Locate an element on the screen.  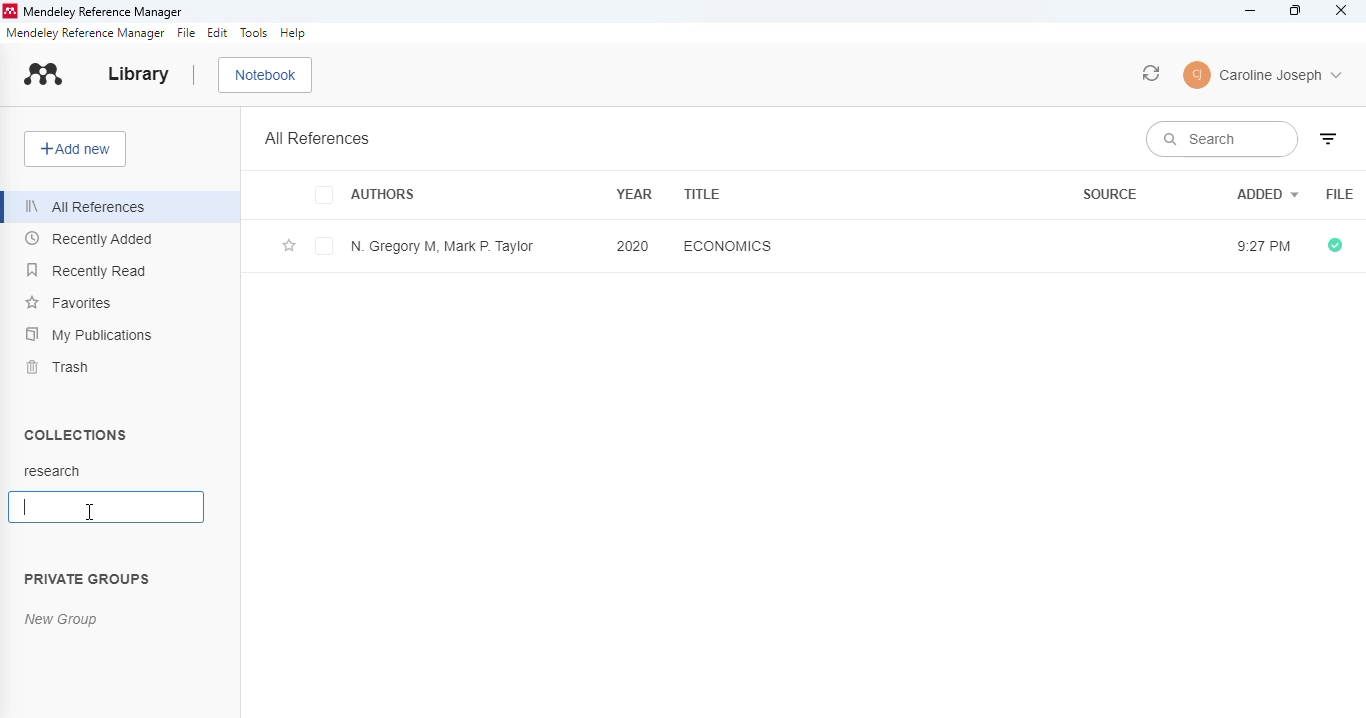
collections is located at coordinates (77, 434).